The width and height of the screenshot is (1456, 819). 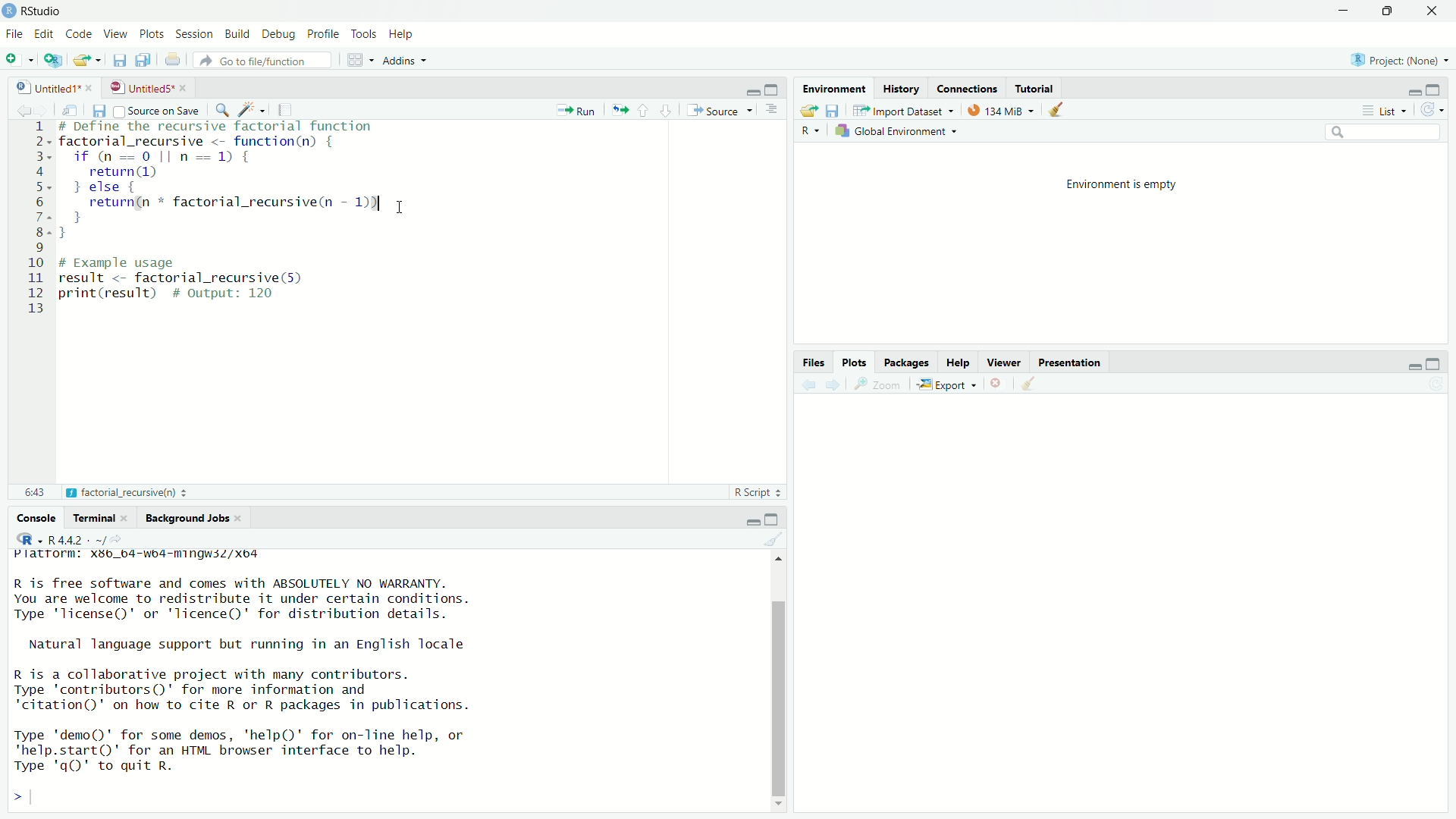 What do you see at coordinates (781, 695) in the screenshot?
I see `Scrollbar` at bounding box center [781, 695].